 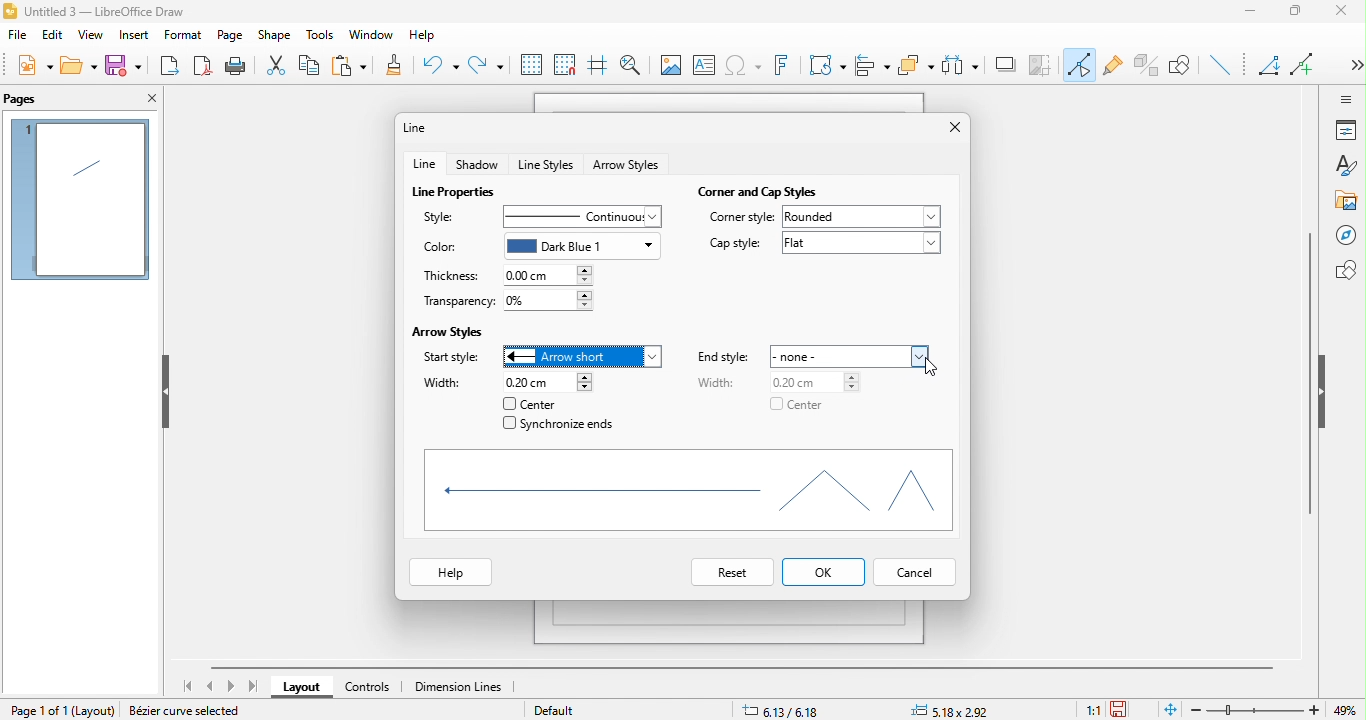 I want to click on gluepoint function, so click(x=1114, y=67).